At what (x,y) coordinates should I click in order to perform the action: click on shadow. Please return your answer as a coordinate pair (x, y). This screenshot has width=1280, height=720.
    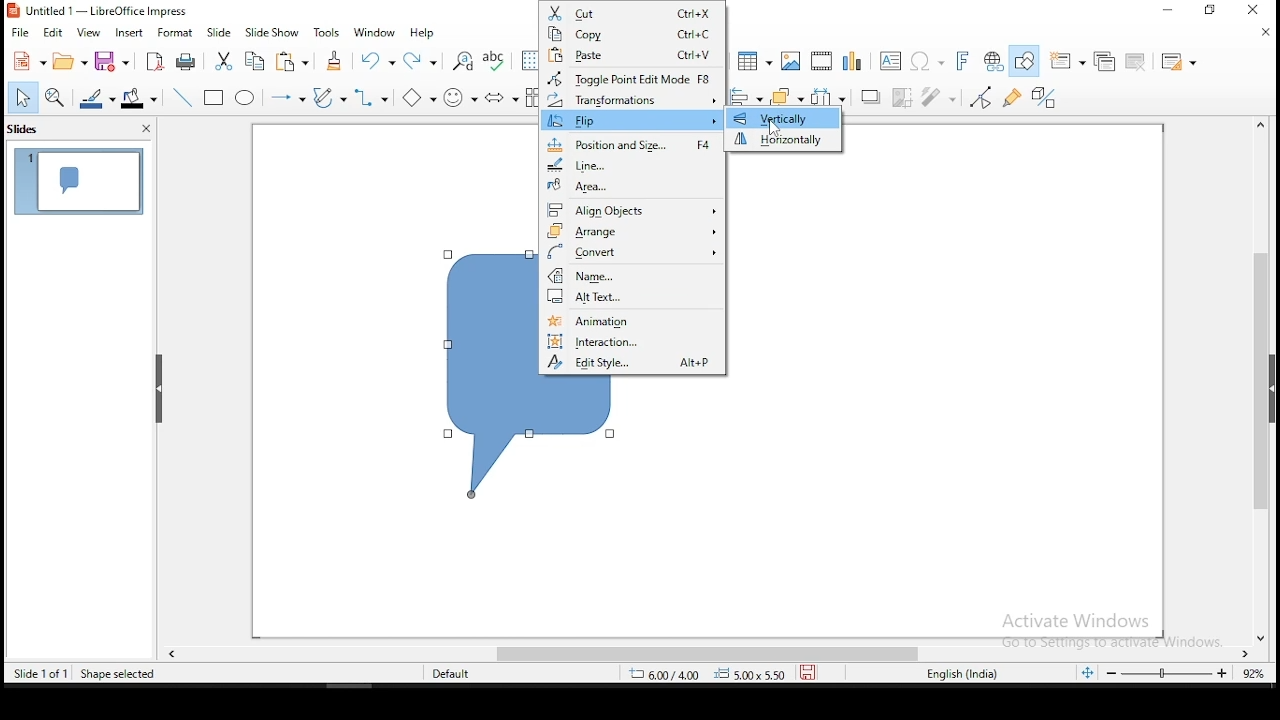
    Looking at the image, I should click on (867, 97).